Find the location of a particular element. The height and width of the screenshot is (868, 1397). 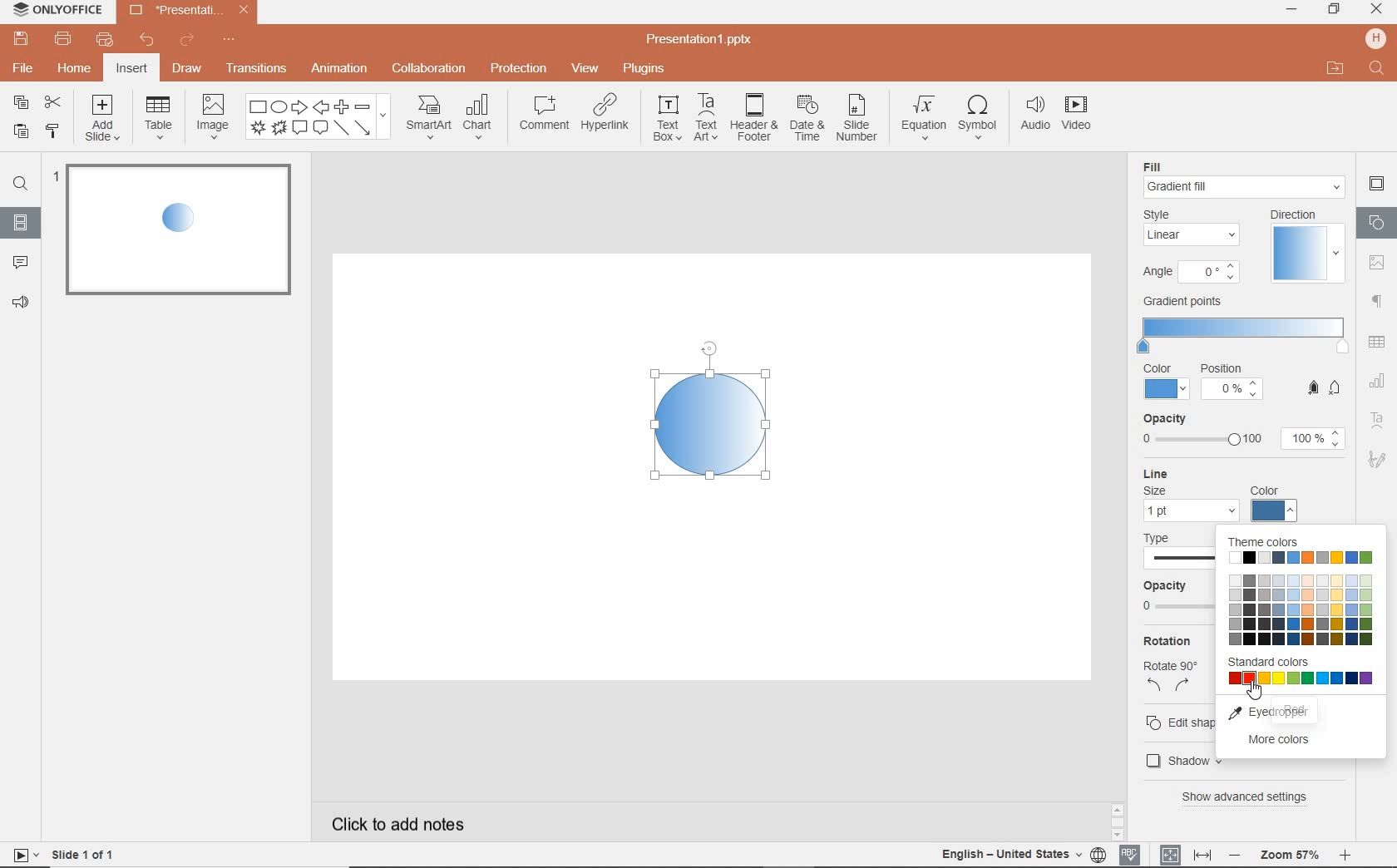

text language is located at coordinates (1013, 856).